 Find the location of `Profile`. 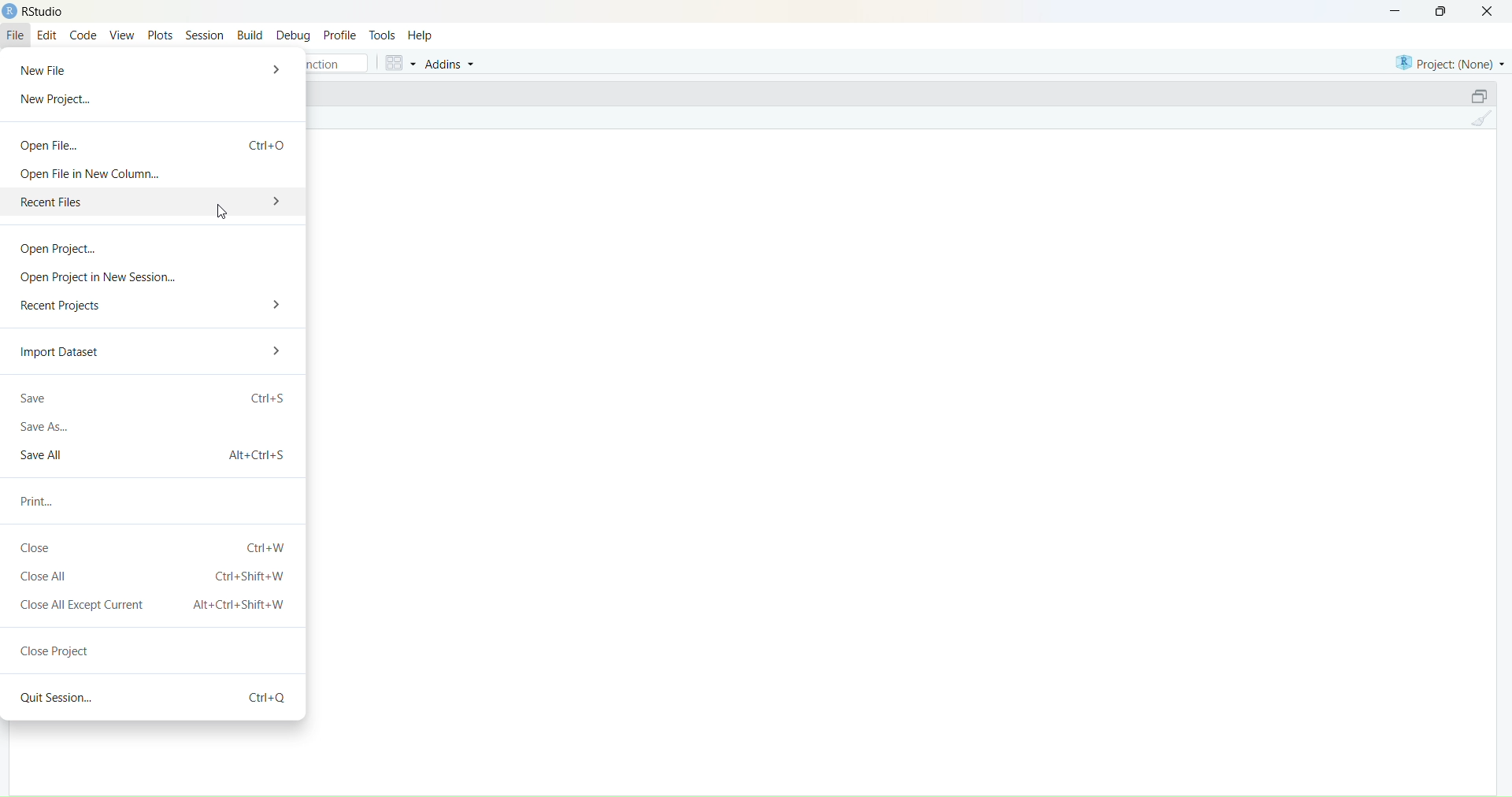

Profile is located at coordinates (339, 35).